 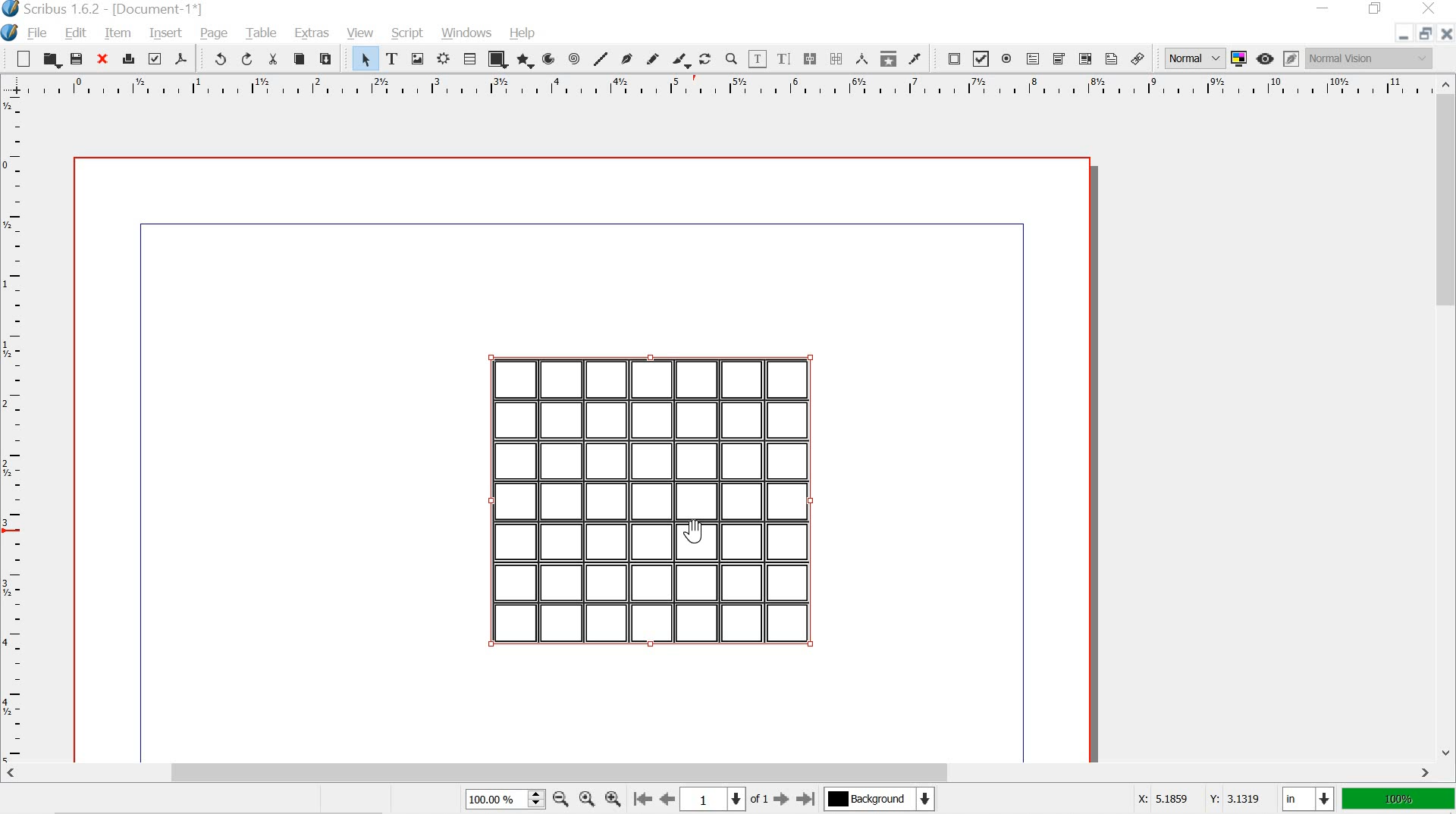 I want to click on go to the perious page, so click(x=669, y=798).